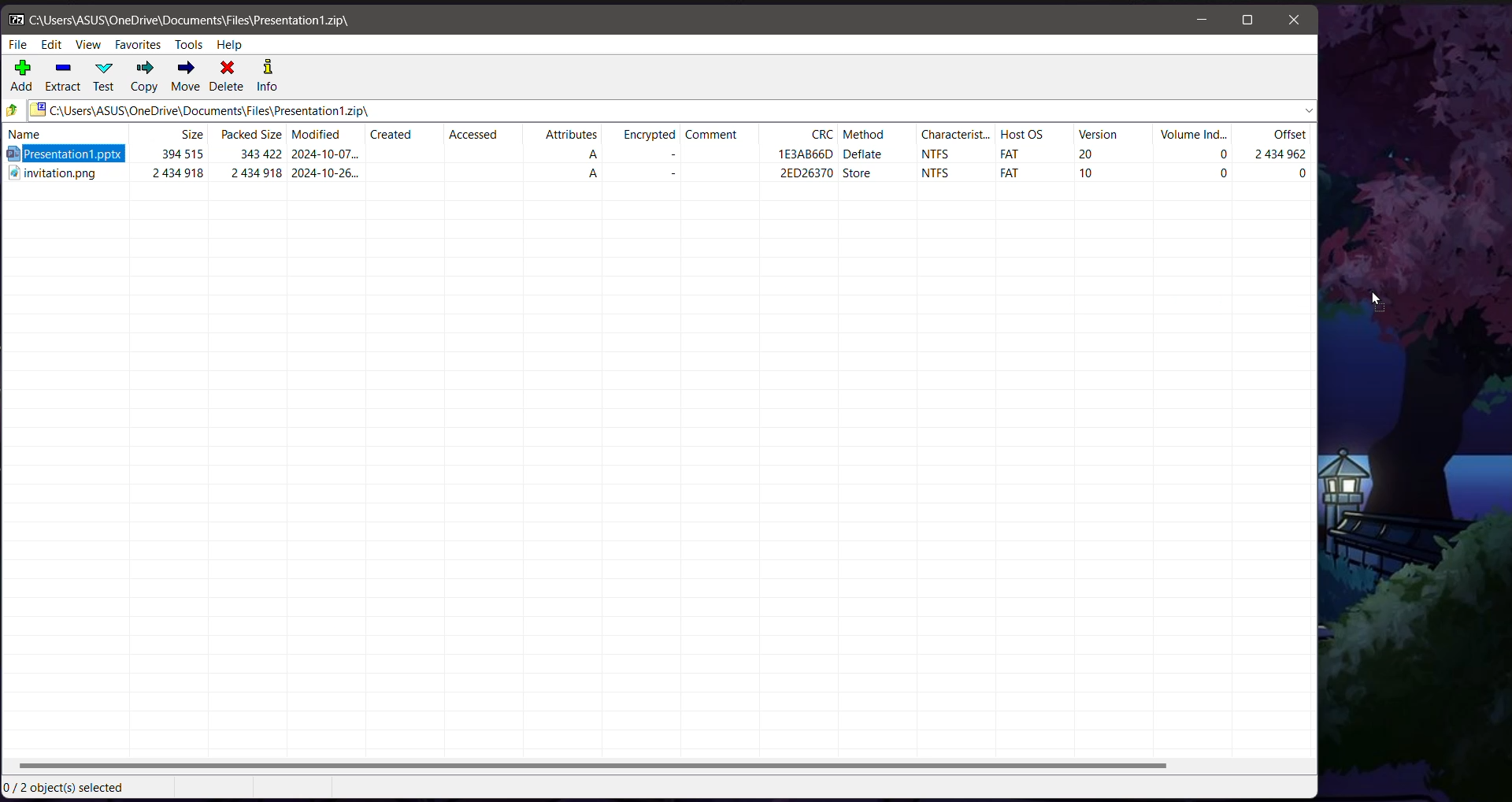 The width and height of the screenshot is (1512, 802). I want to click on Add, so click(22, 76).